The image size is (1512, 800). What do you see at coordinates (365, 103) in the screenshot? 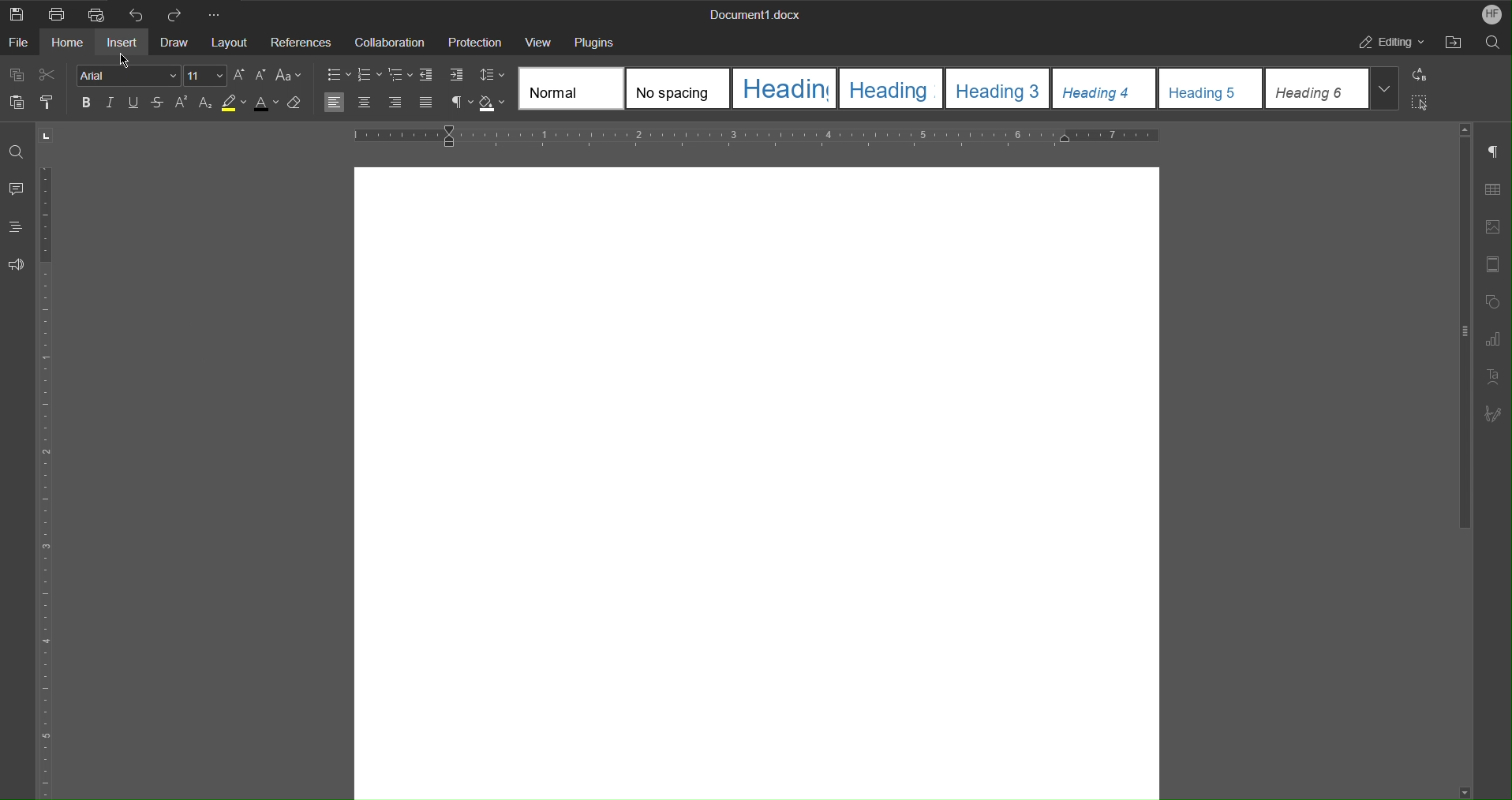
I see `Centre Align` at bounding box center [365, 103].